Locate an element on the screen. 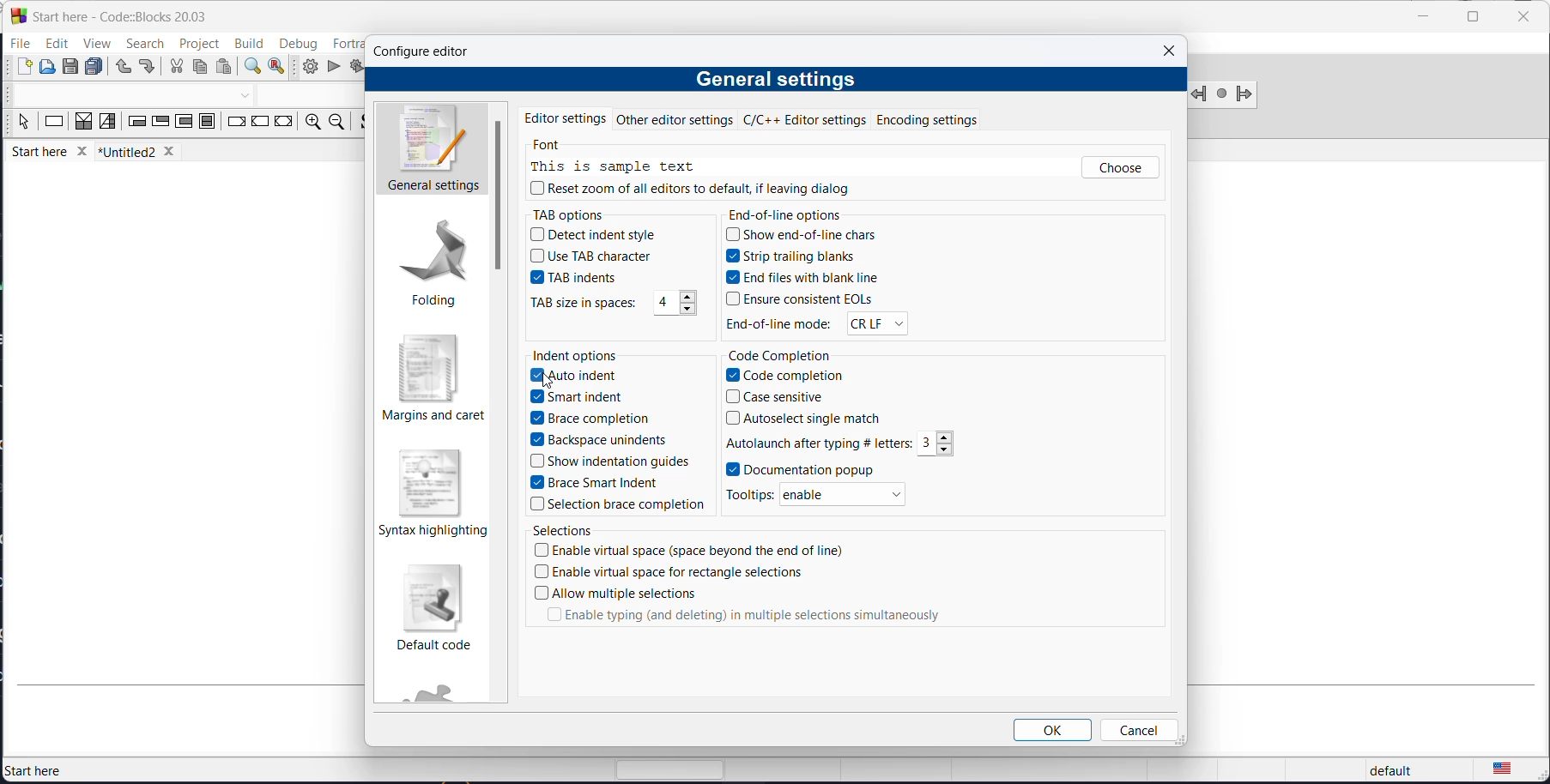 This screenshot has width=1550, height=784. cut is located at coordinates (176, 68).